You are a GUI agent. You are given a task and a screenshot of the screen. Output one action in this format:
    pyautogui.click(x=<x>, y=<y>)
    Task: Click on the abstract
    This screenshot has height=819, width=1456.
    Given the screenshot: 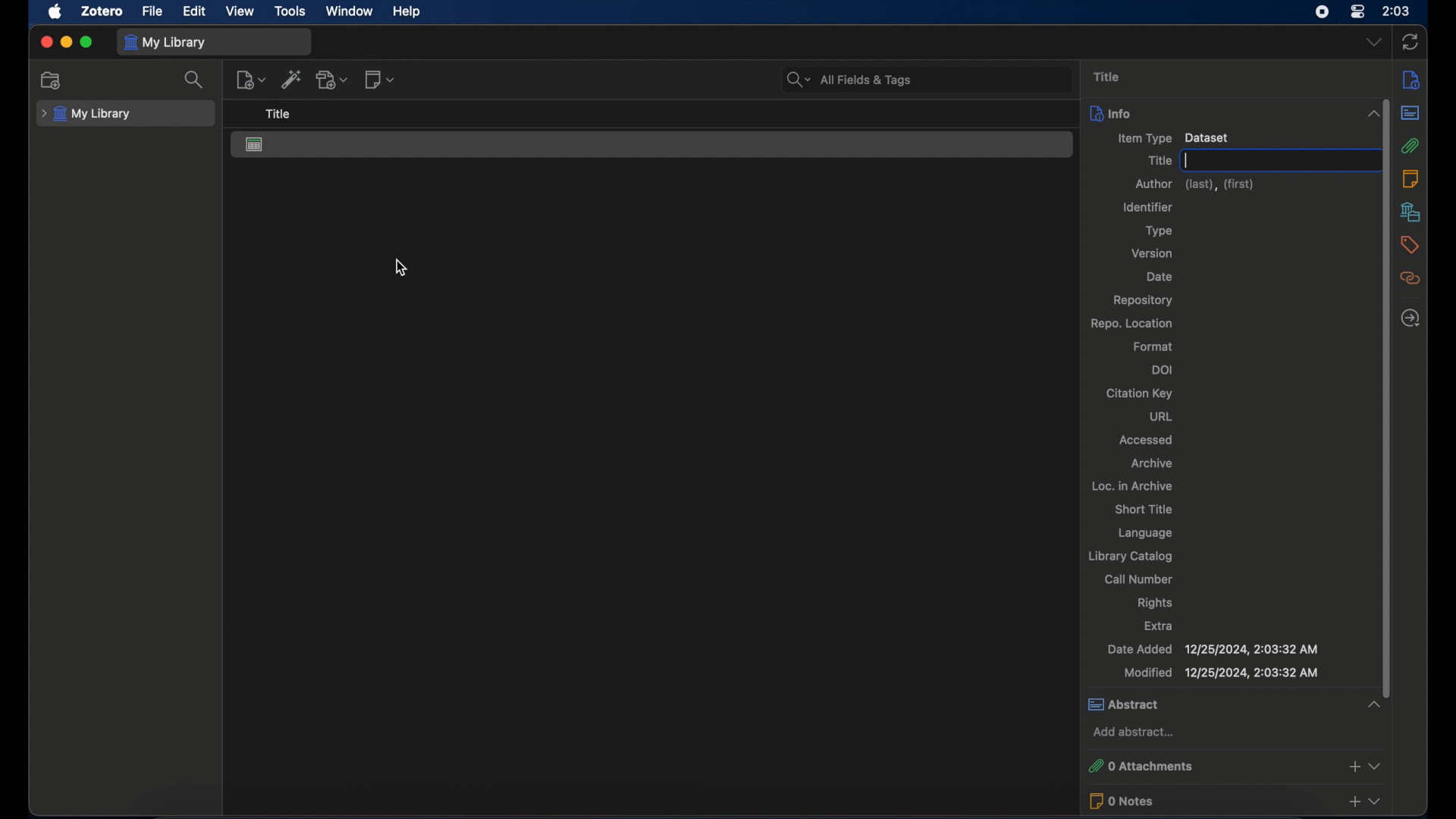 What is the action you would take?
    pyautogui.click(x=1410, y=113)
    